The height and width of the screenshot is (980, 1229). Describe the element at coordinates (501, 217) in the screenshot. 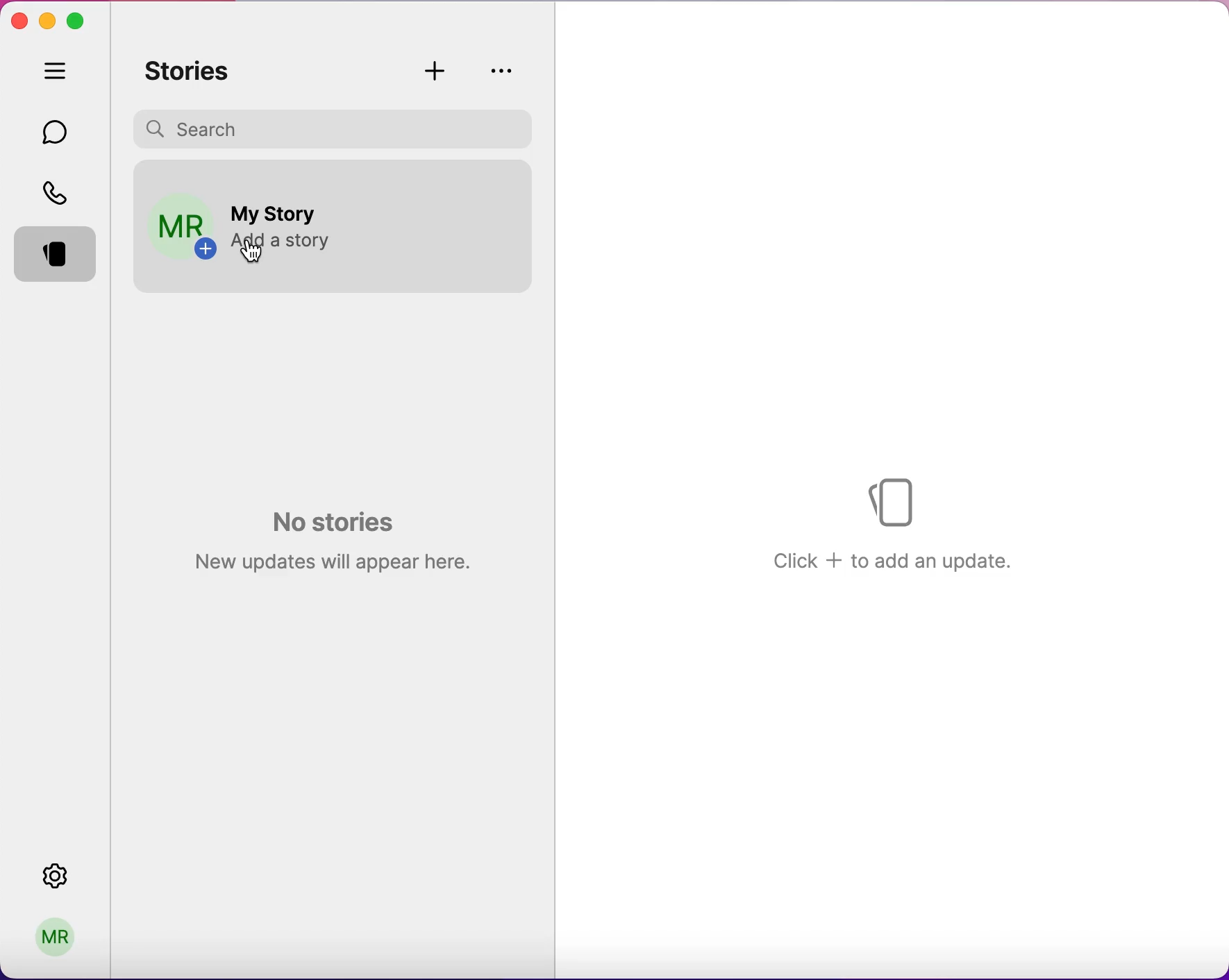

I see `checkbox` at that location.